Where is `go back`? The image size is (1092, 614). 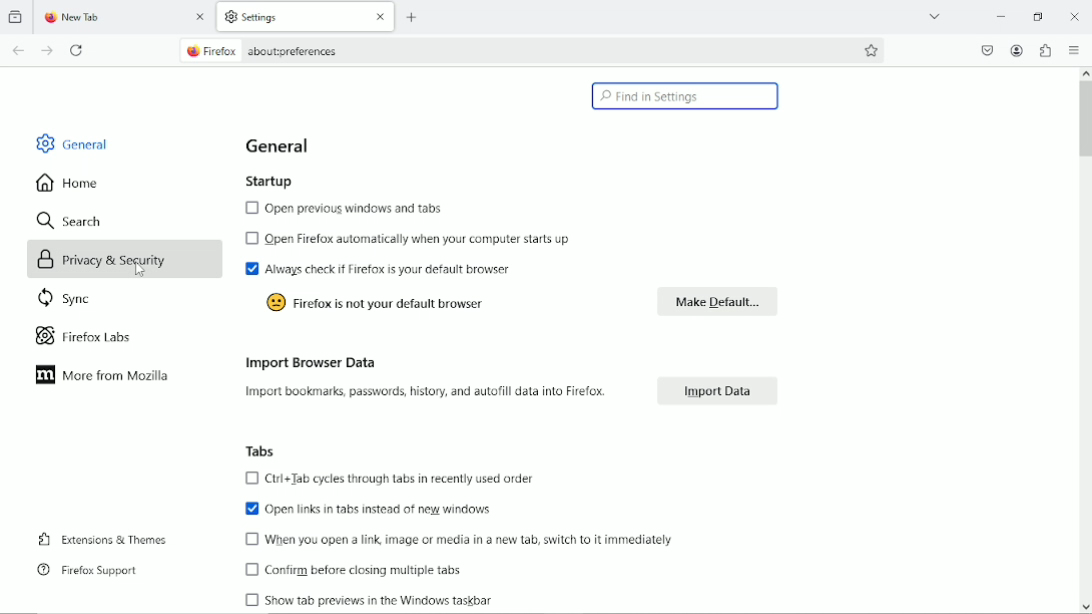 go back is located at coordinates (19, 50).